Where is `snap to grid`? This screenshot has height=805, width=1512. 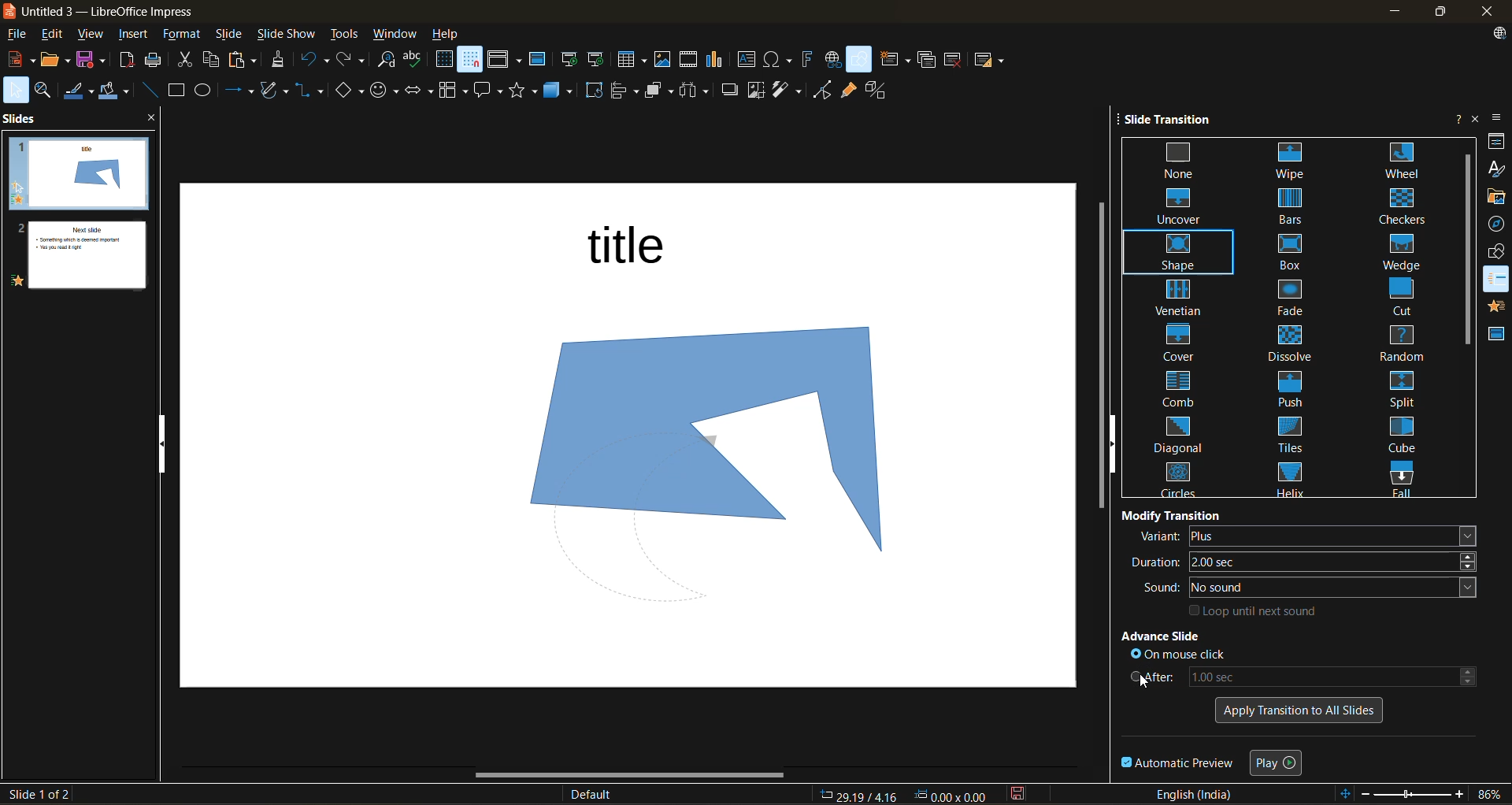
snap to grid is located at coordinates (471, 61).